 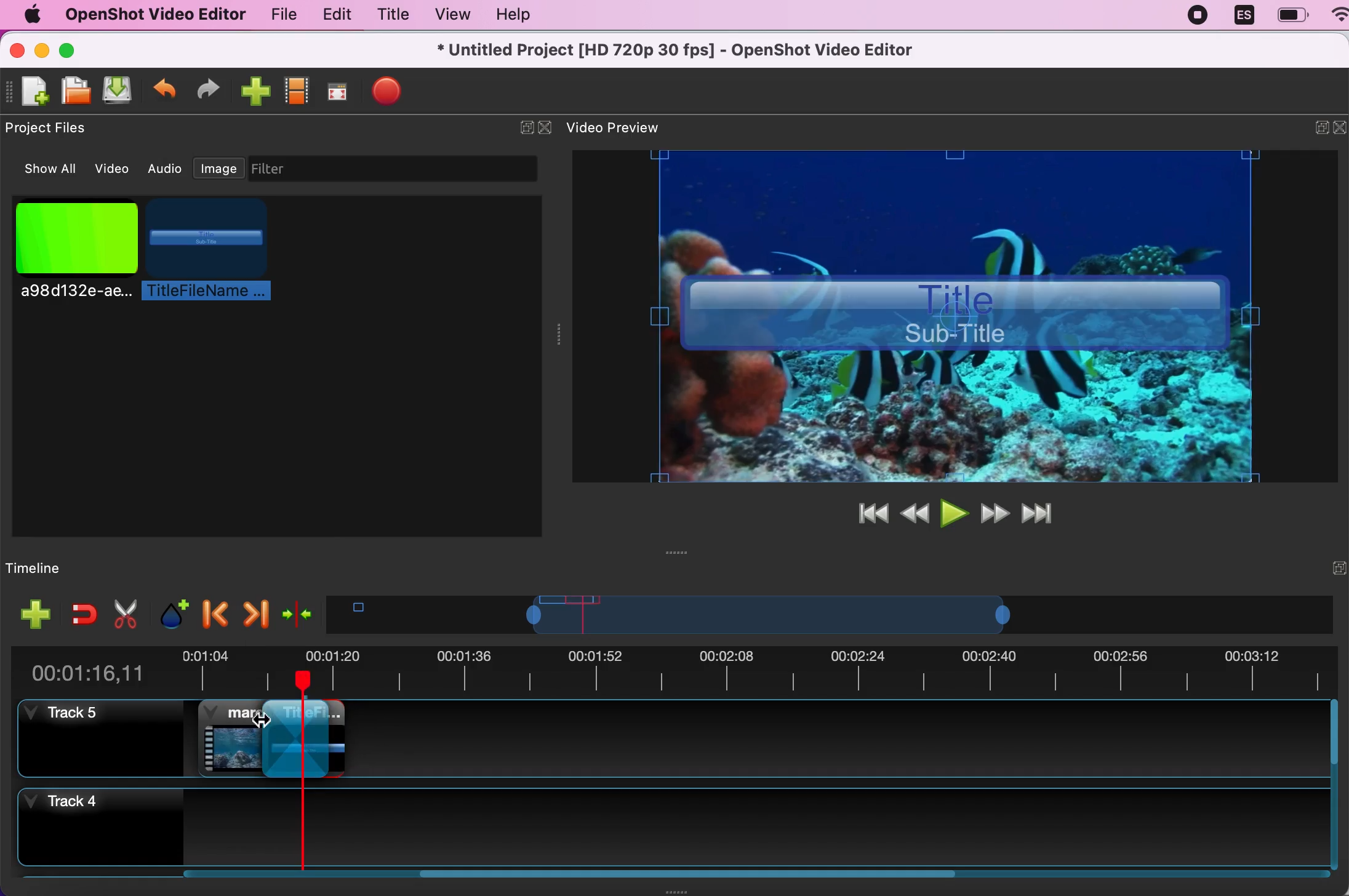 I want to click on help, so click(x=524, y=15).